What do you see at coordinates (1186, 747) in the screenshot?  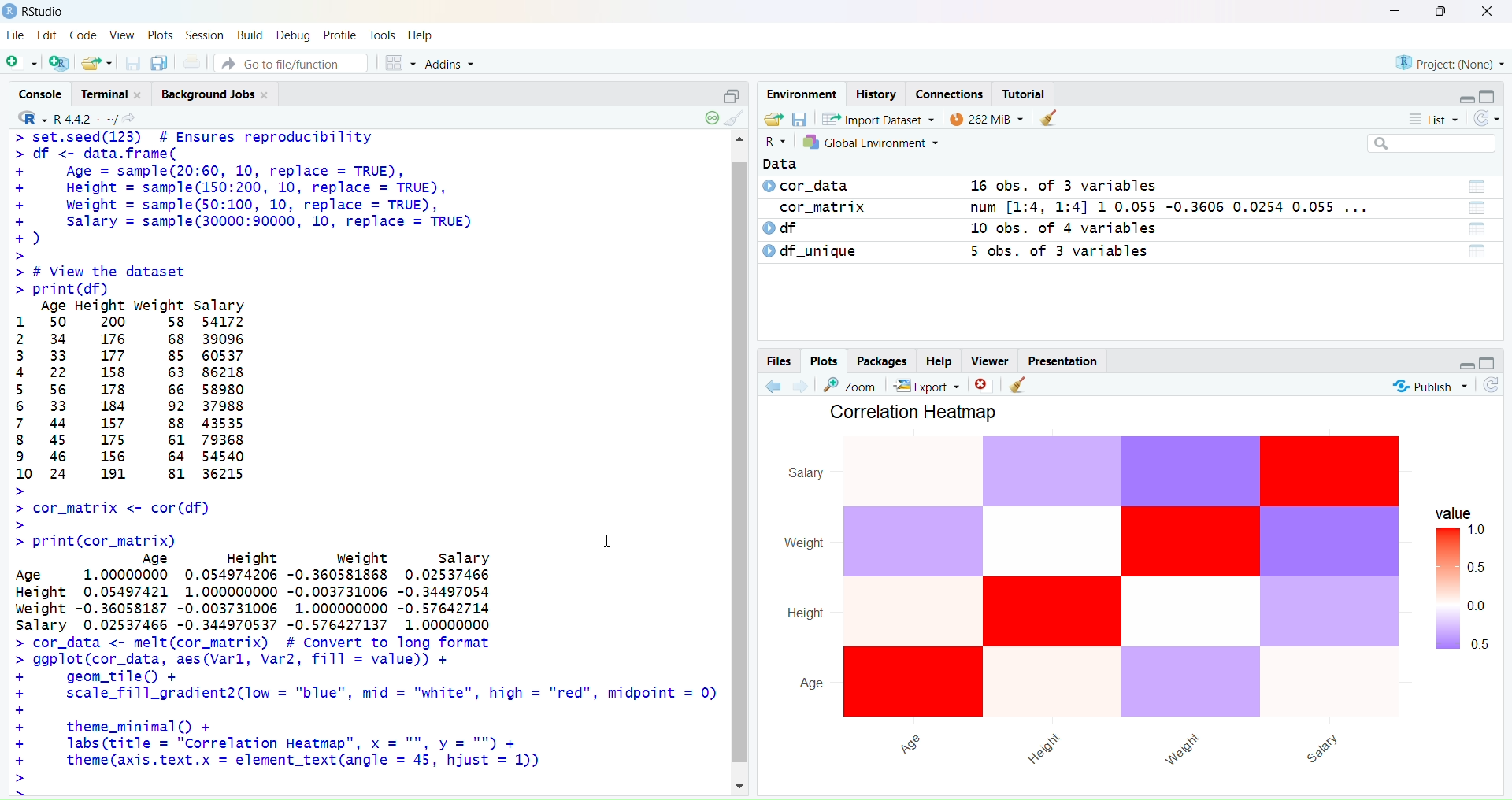 I see `Weight` at bounding box center [1186, 747].